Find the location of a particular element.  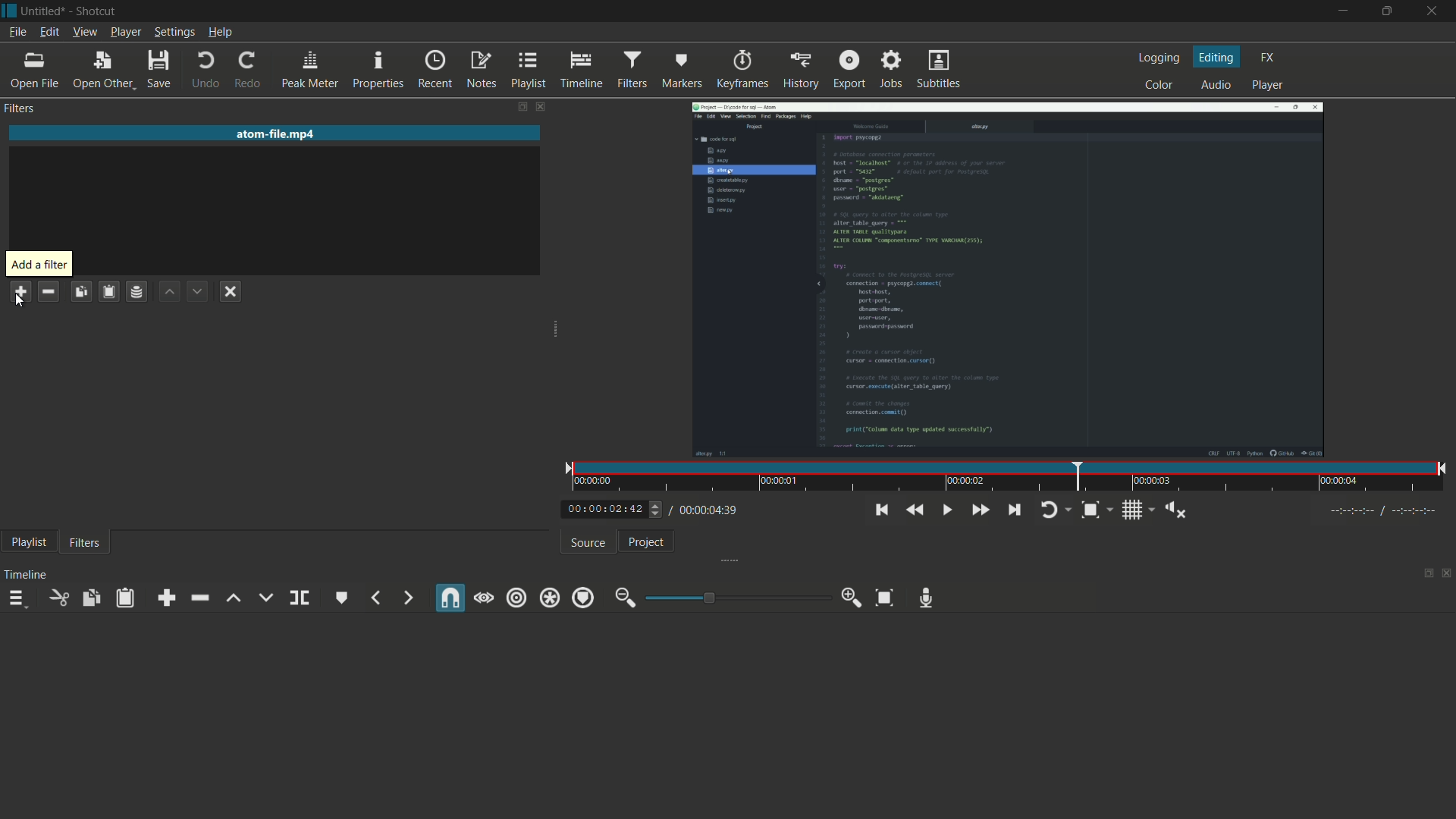

ripple all tracks is located at coordinates (549, 599).